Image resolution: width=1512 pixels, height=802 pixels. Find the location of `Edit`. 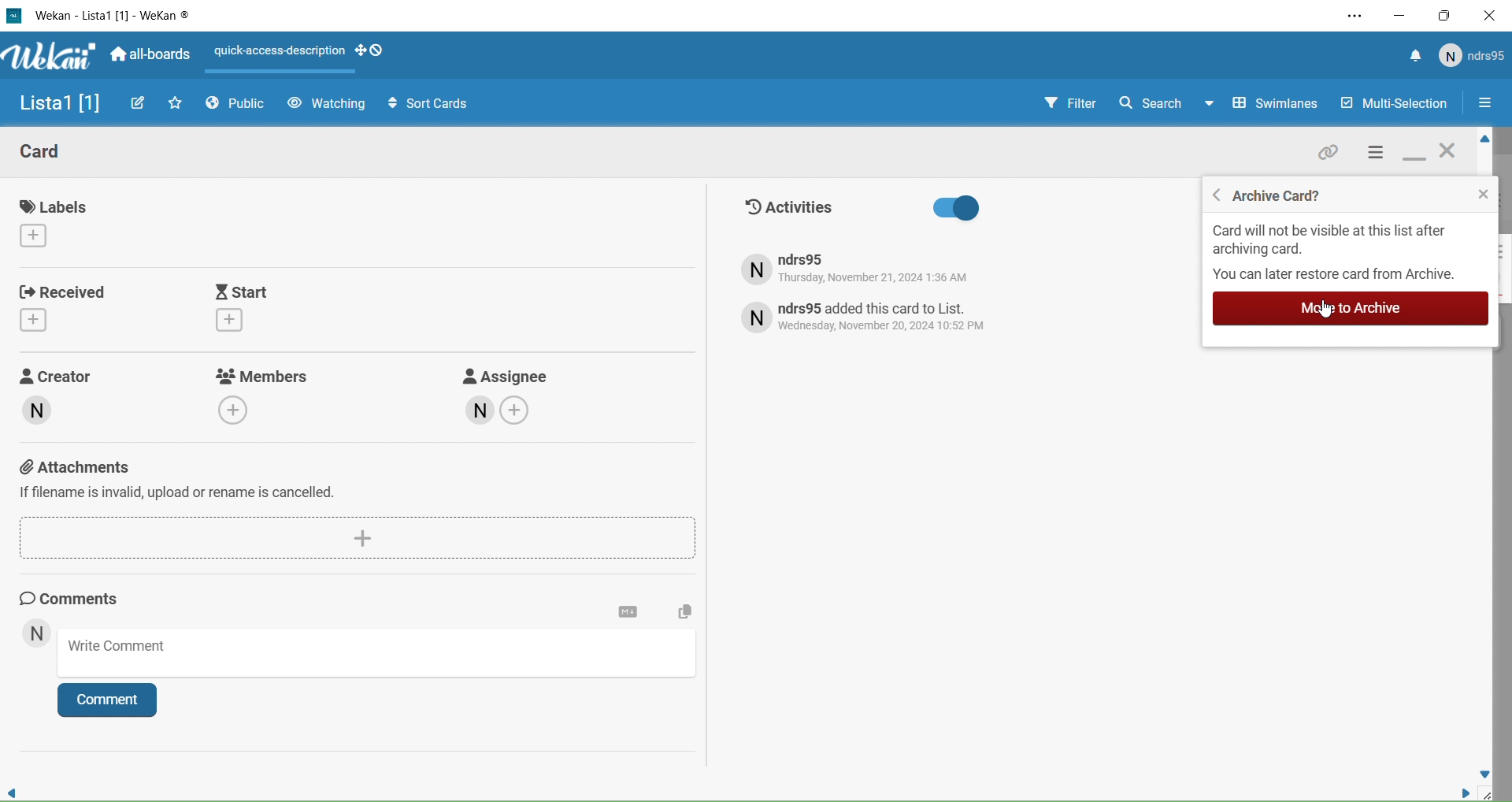

Edit is located at coordinates (139, 104).